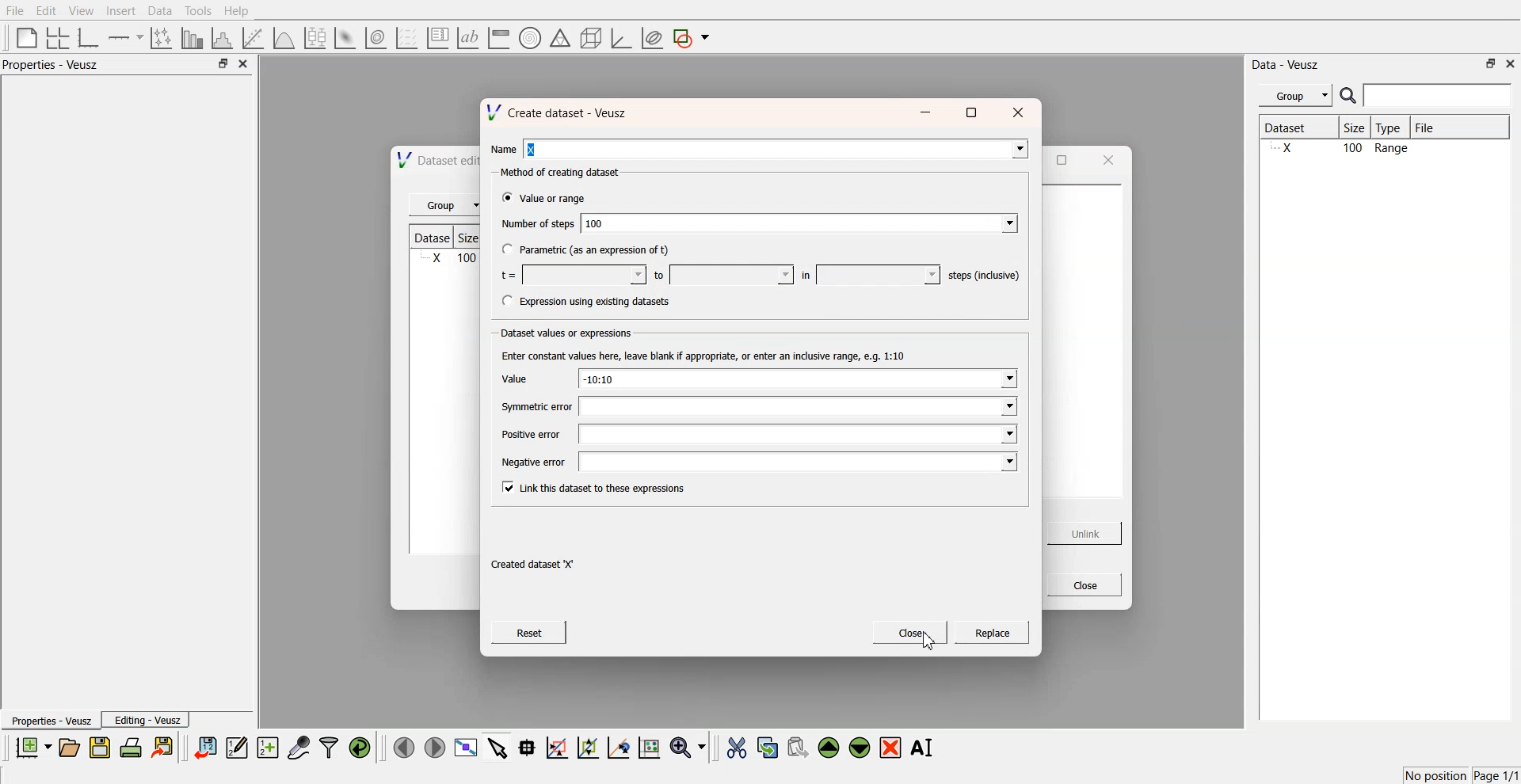 The width and height of the screenshot is (1521, 784). What do you see at coordinates (16, 11) in the screenshot?
I see `File` at bounding box center [16, 11].